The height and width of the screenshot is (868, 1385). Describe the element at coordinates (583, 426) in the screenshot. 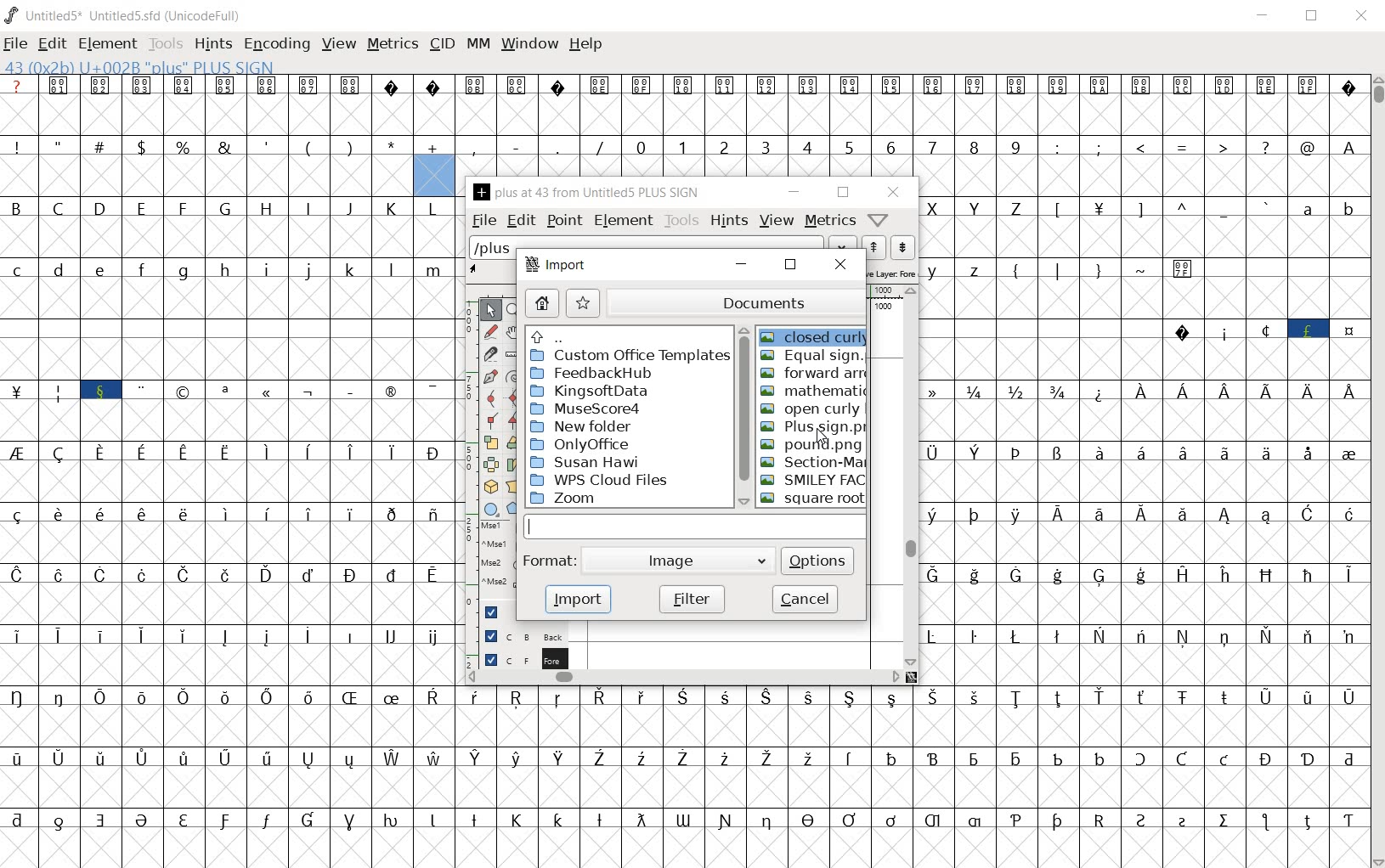

I see `New folder` at that location.